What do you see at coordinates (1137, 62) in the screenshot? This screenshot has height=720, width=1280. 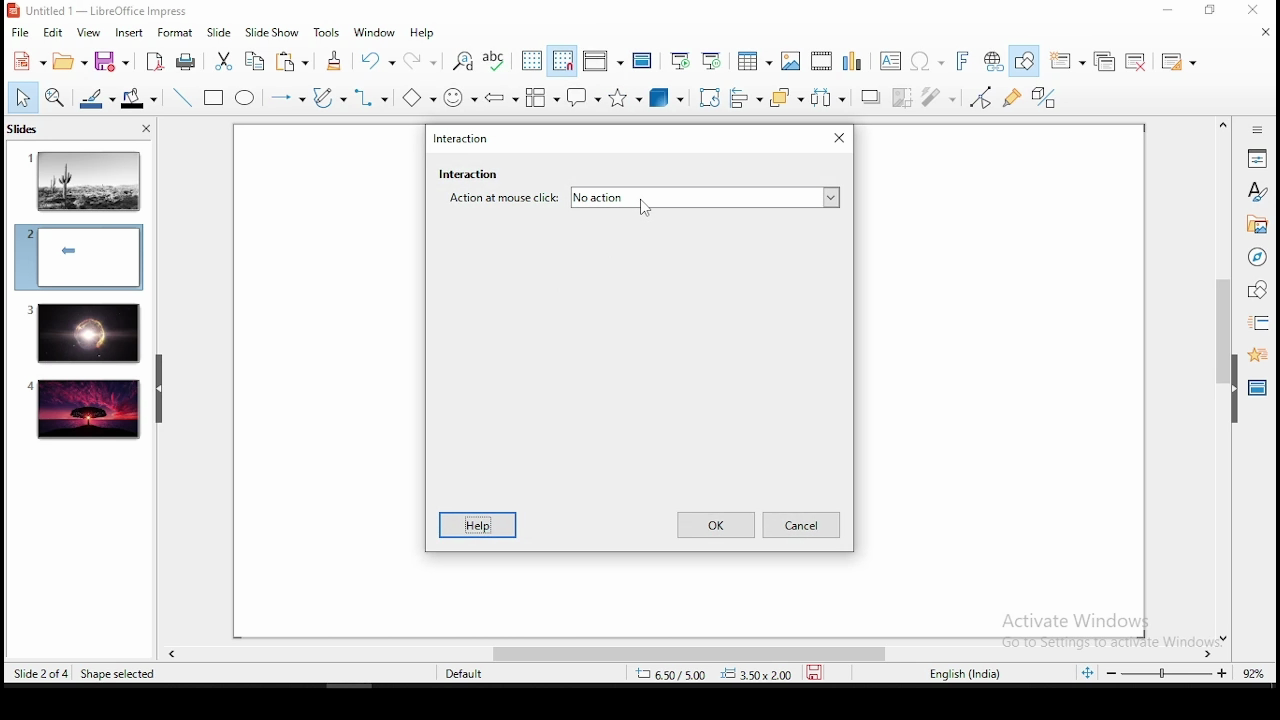 I see `delete slide` at bounding box center [1137, 62].